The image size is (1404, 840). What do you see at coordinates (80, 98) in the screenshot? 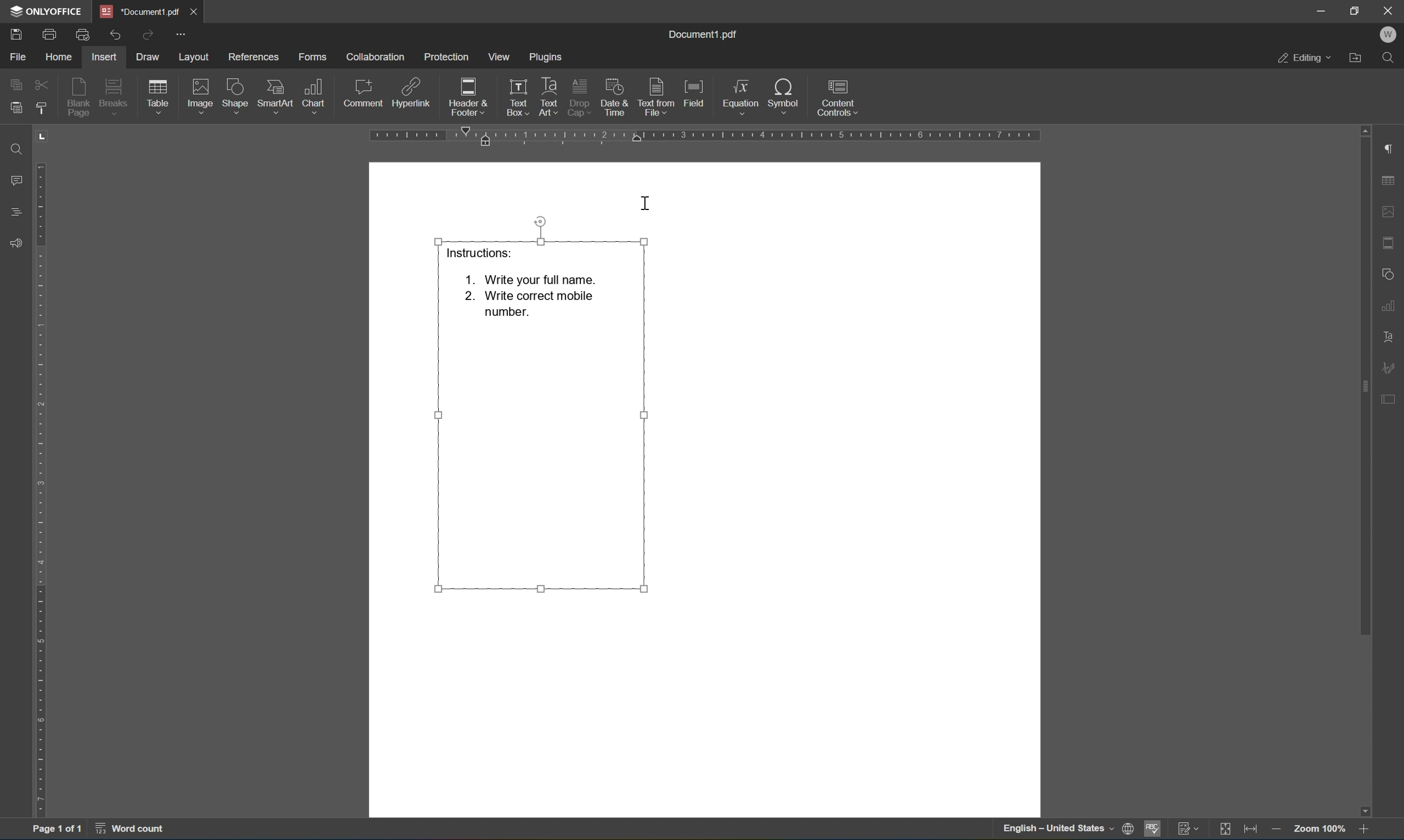
I see `blank page` at bounding box center [80, 98].